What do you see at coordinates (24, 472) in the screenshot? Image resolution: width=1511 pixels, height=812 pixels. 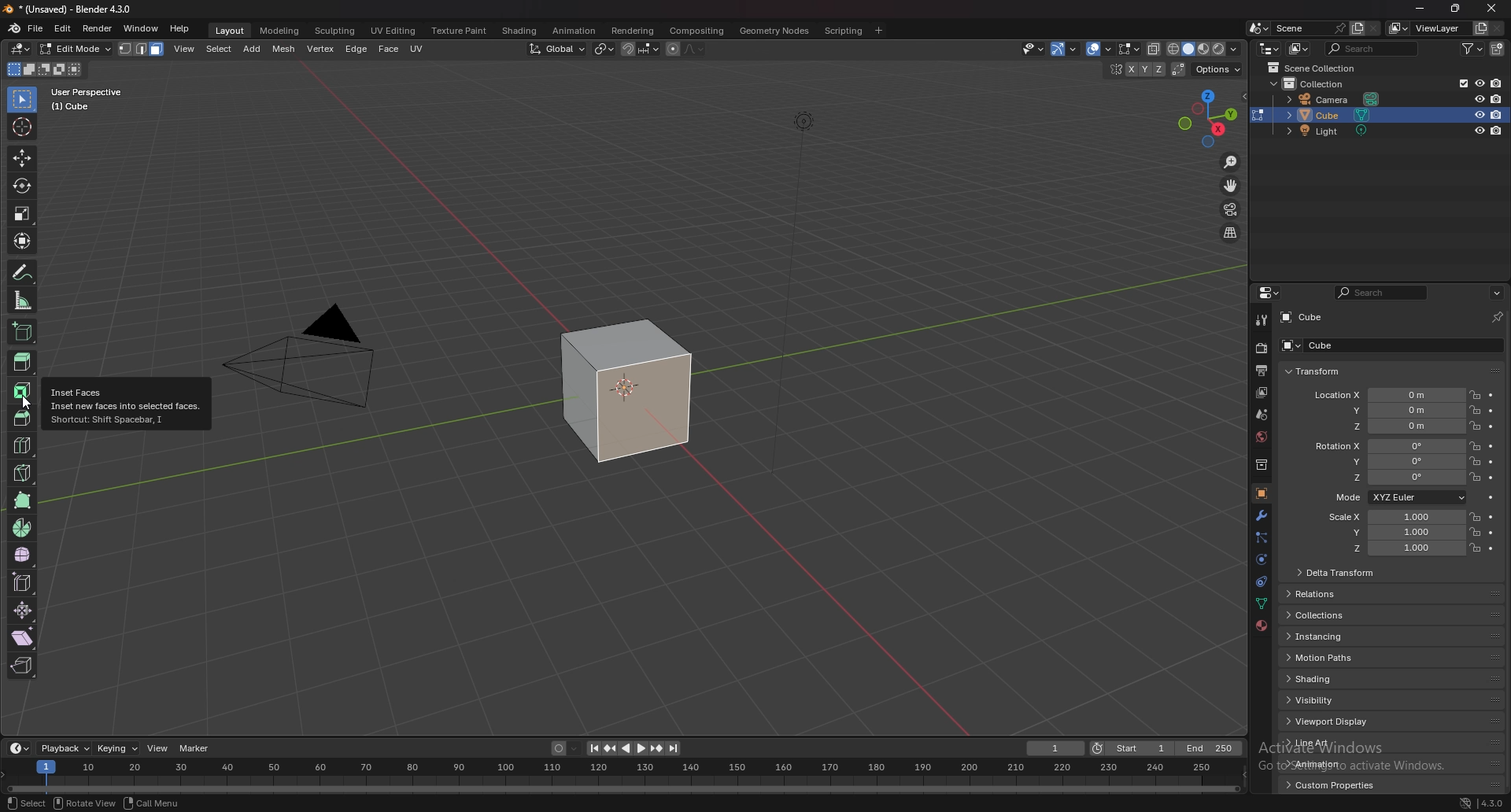 I see `knife` at bounding box center [24, 472].